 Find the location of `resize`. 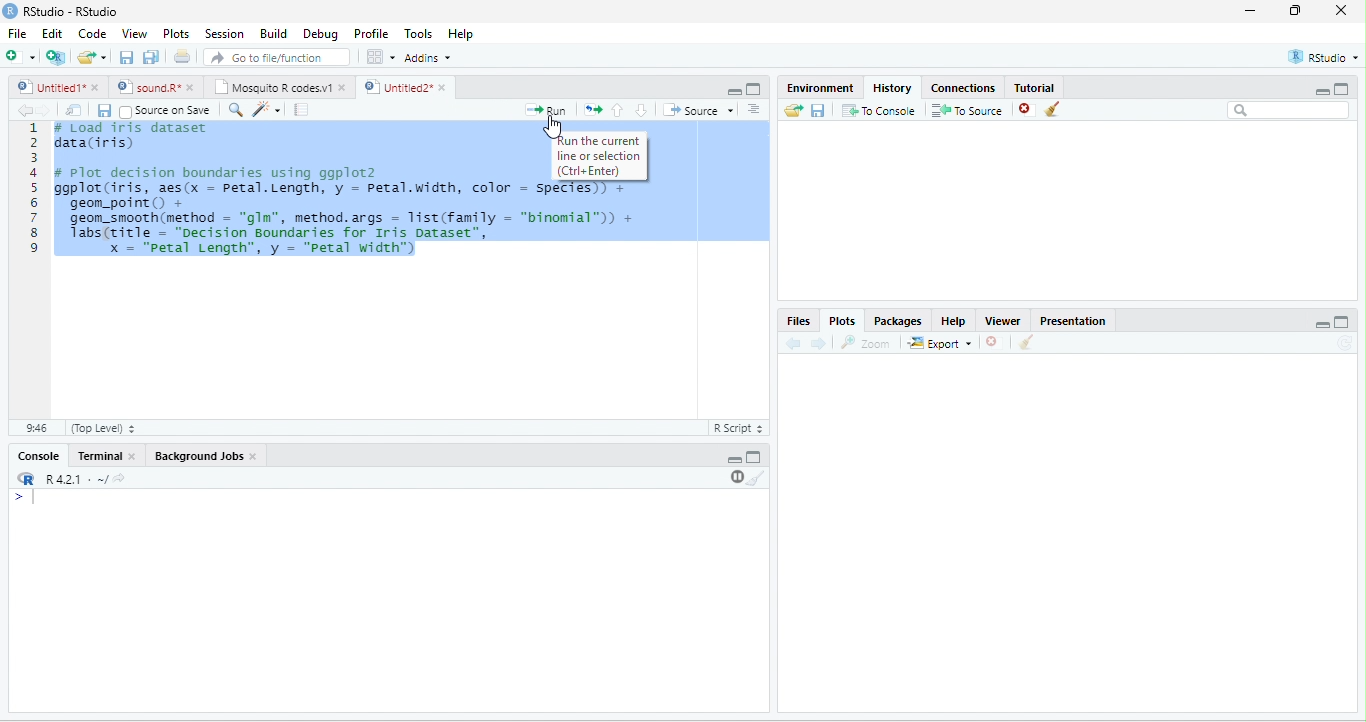

resize is located at coordinates (1296, 10).